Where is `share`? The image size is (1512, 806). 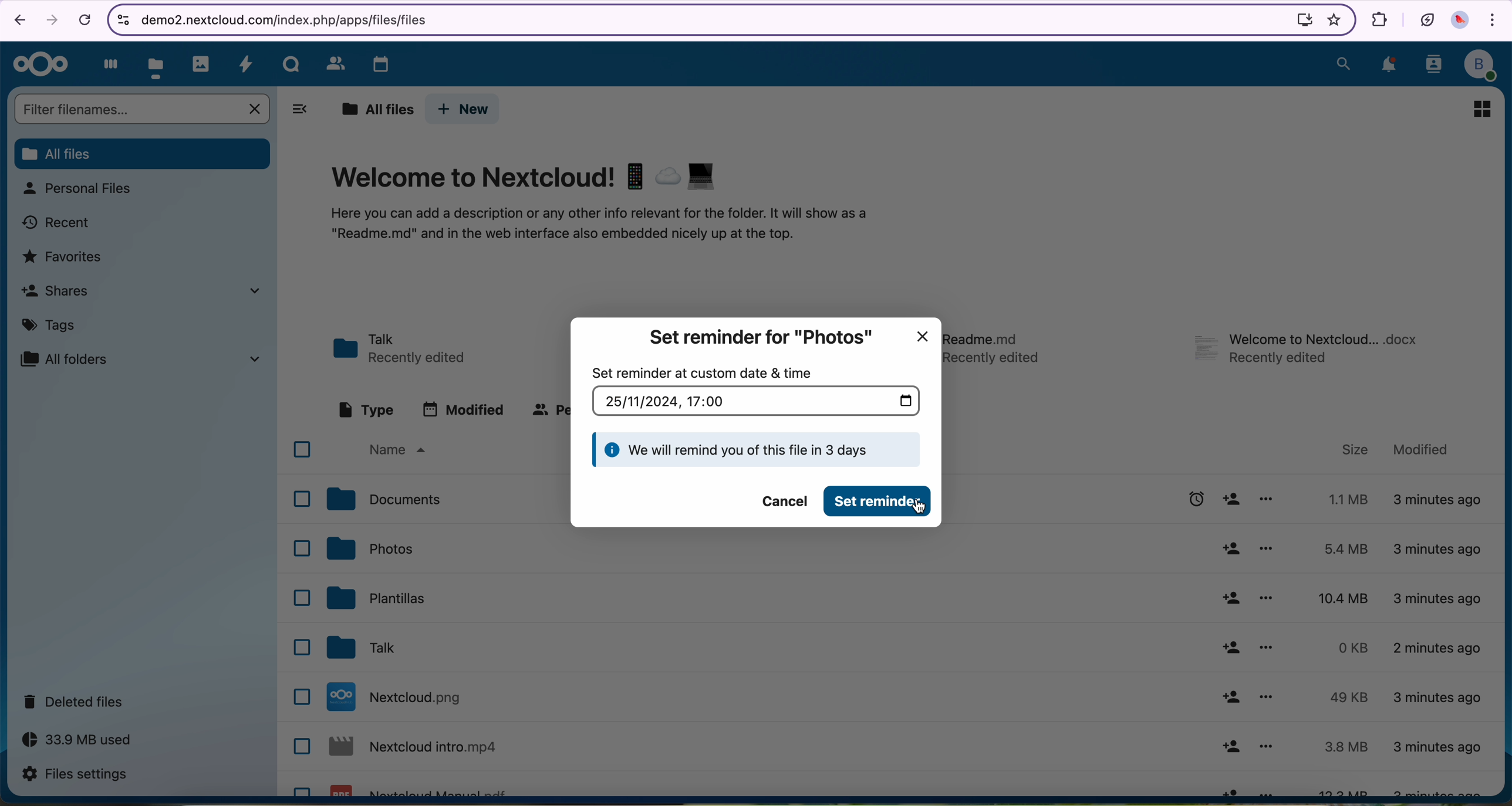 share is located at coordinates (1232, 788).